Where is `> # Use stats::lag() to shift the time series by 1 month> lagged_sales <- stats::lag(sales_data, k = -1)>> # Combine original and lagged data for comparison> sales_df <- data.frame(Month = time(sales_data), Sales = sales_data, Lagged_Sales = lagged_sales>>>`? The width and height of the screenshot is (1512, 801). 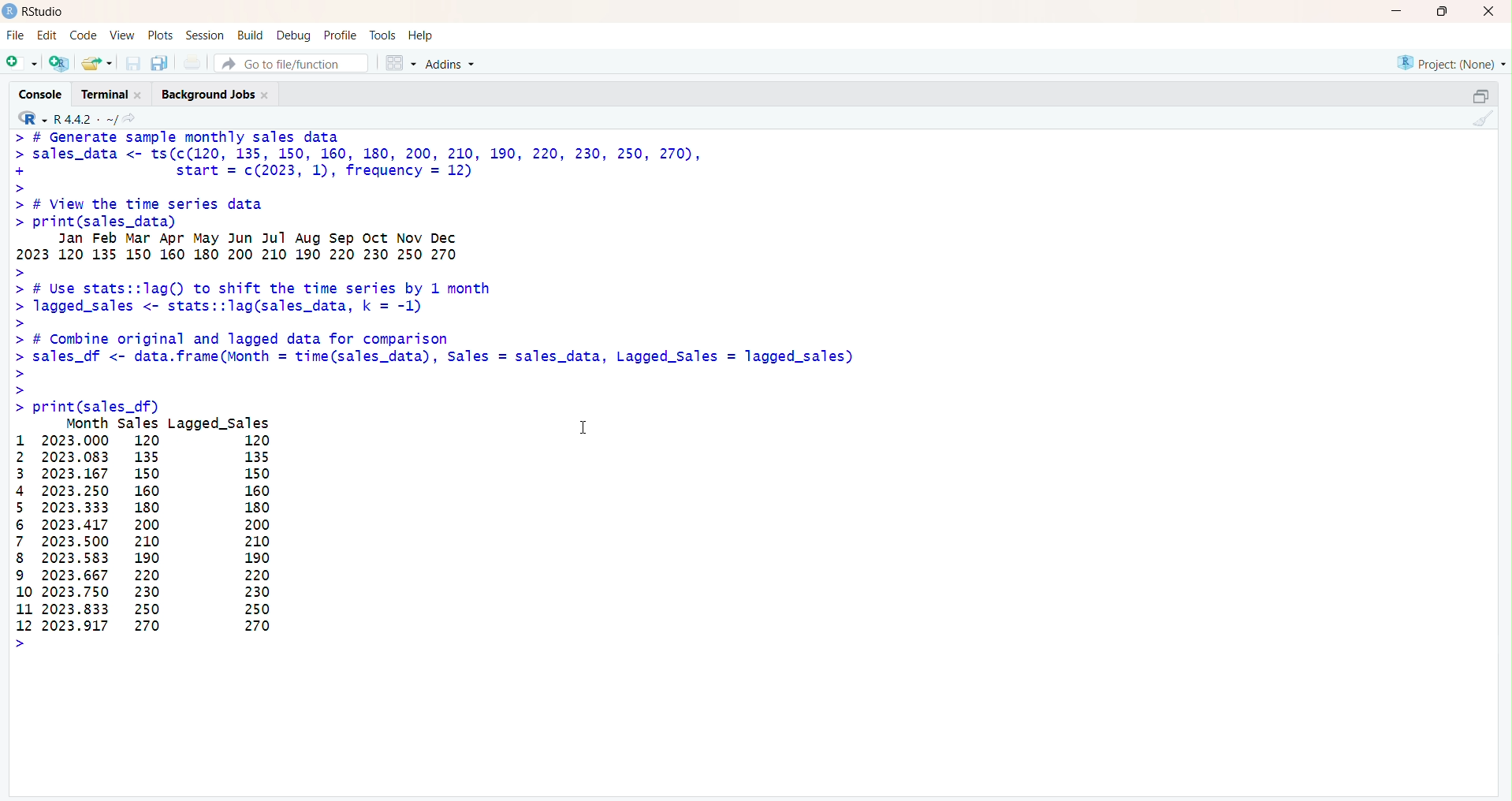 > # Use stats::lag() to shift the time series by 1 month> lagged_sales <- stats::lag(sales_data, k = -1)>> # Combine original and lagged data for comparison> sales_df <- data.frame(Month = time(sales_data), Sales = sales_data, Lagged_Sales = lagged_sales>>> is located at coordinates (434, 332).